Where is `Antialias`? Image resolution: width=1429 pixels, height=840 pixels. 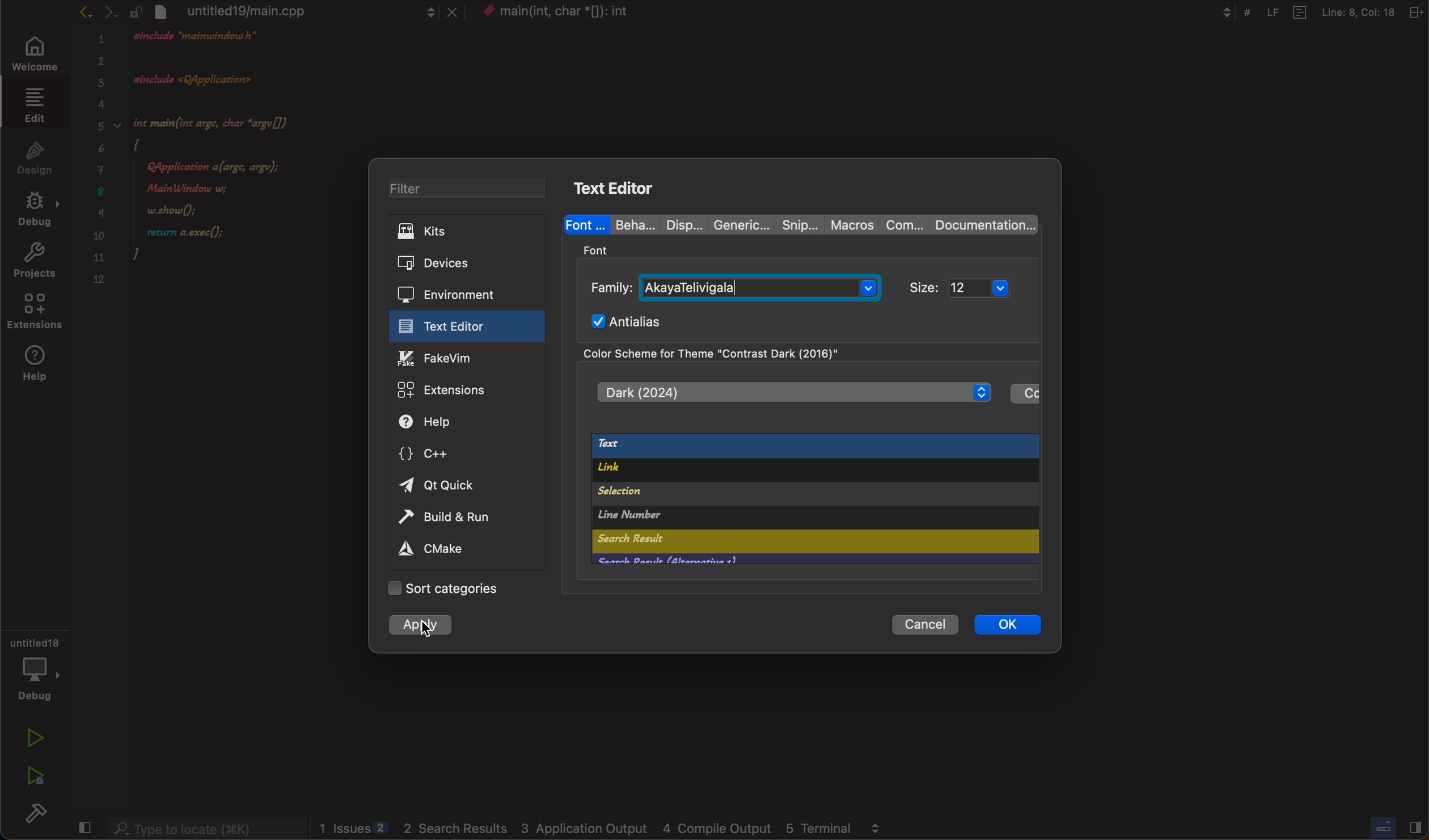 Antialias is located at coordinates (631, 320).